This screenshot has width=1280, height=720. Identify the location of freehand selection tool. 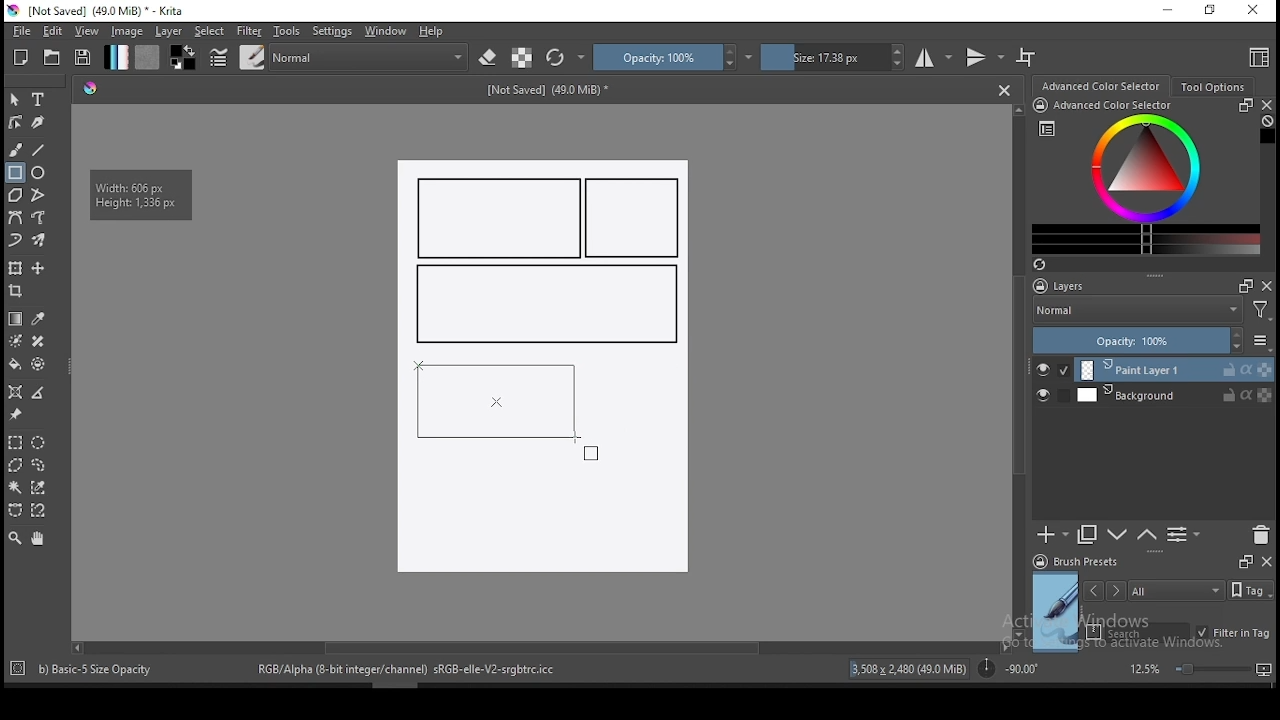
(39, 465).